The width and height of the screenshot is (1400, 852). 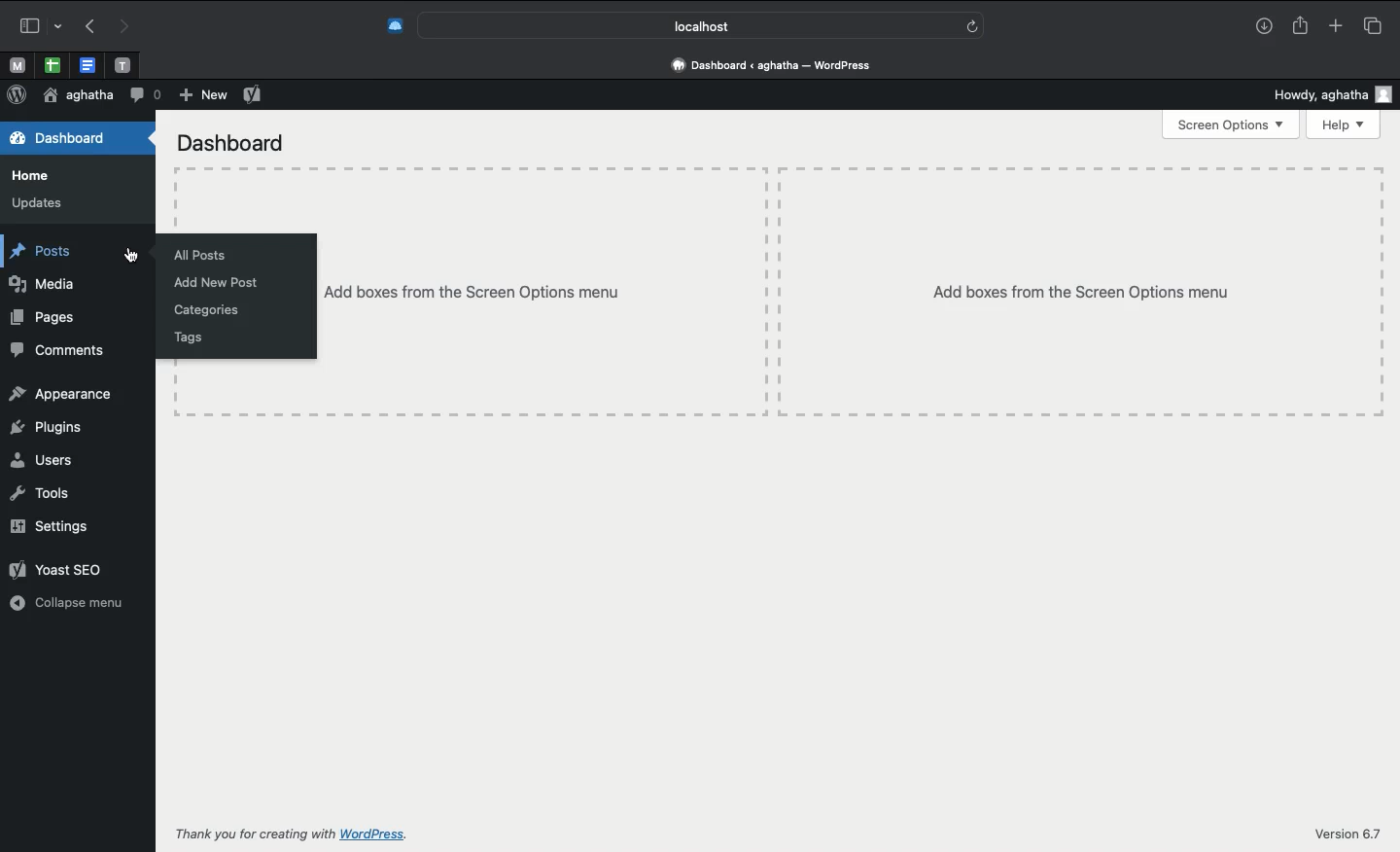 What do you see at coordinates (253, 95) in the screenshot?
I see `Yoast ` at bounding box center [253, 95].